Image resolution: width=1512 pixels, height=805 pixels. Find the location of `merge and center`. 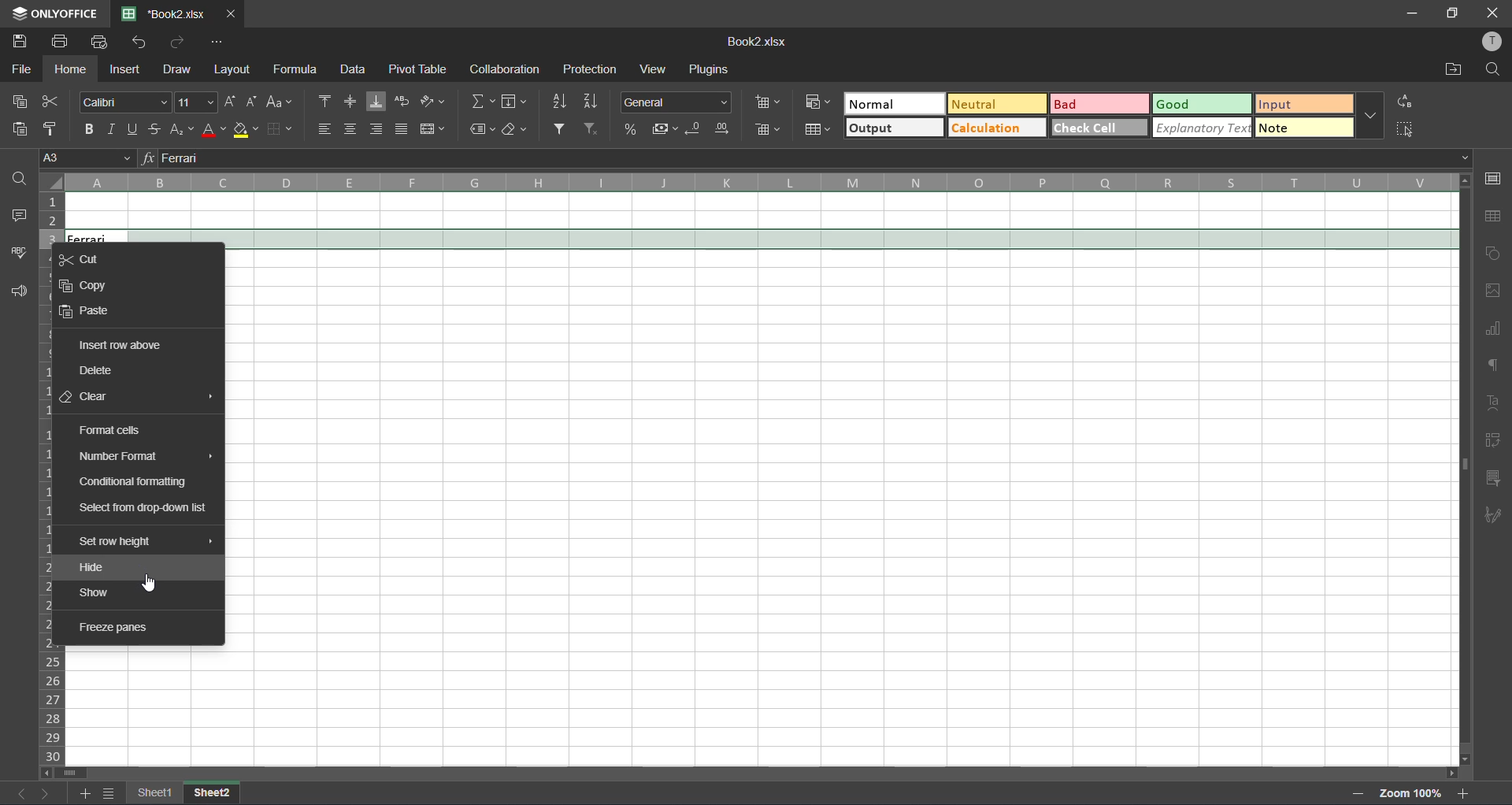

merge and center is located at coordinates (432, 129).